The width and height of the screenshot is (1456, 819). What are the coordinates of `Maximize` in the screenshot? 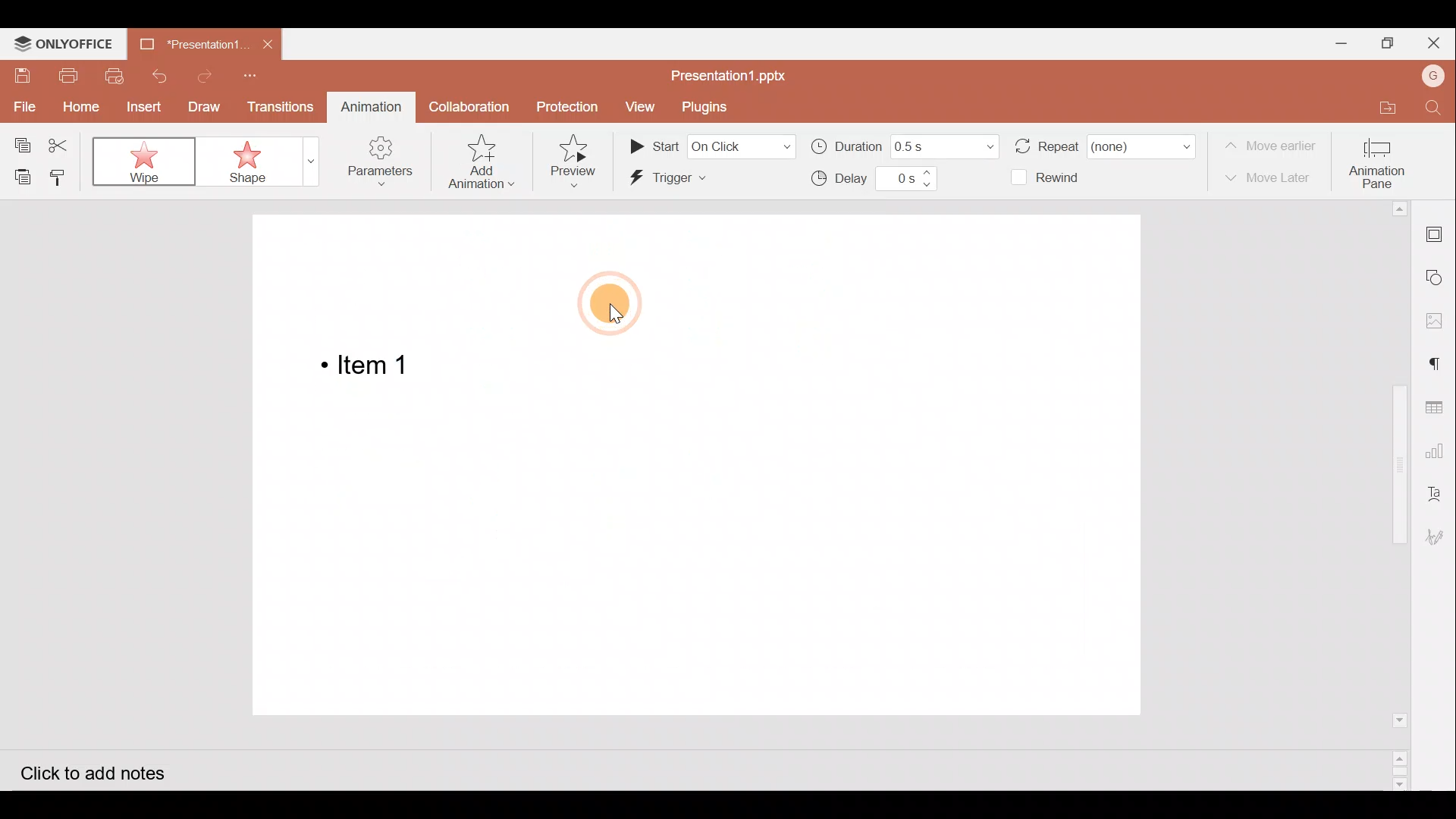 It's located at (1392, 44).